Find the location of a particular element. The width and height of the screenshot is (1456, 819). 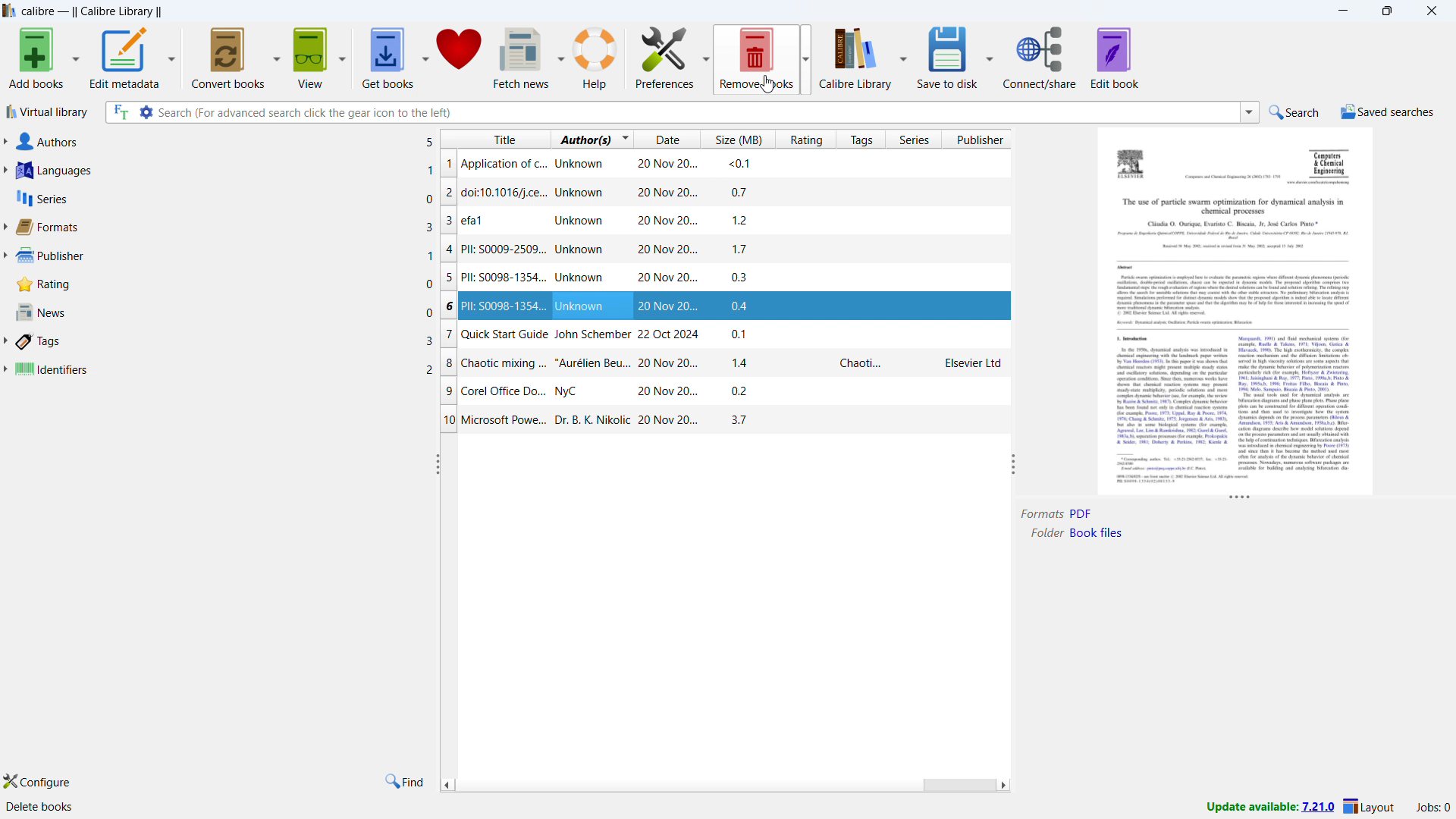

Book files is located at coordinates (1097, 533).